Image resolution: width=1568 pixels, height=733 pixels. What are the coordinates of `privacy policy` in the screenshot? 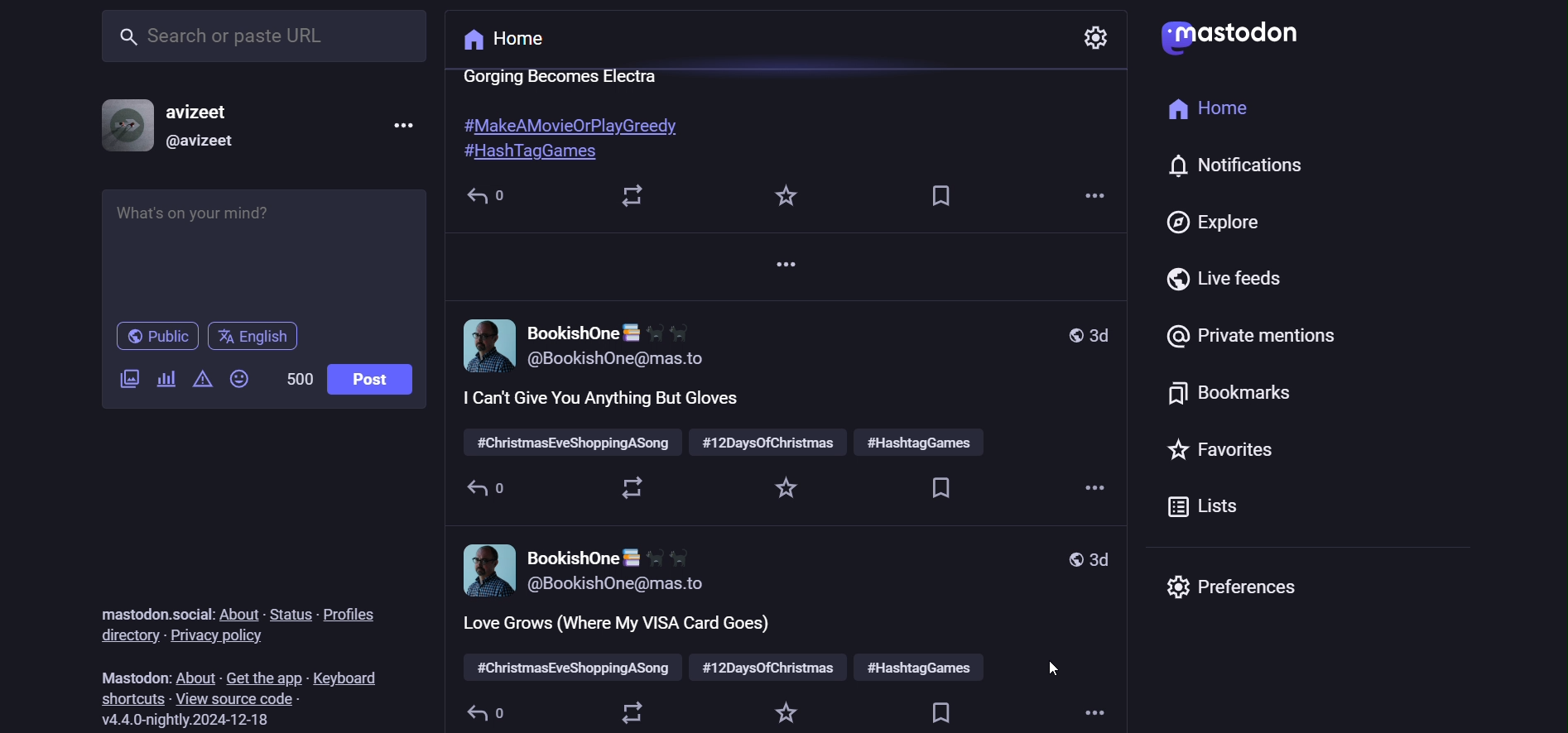 It's located at (220, 637).